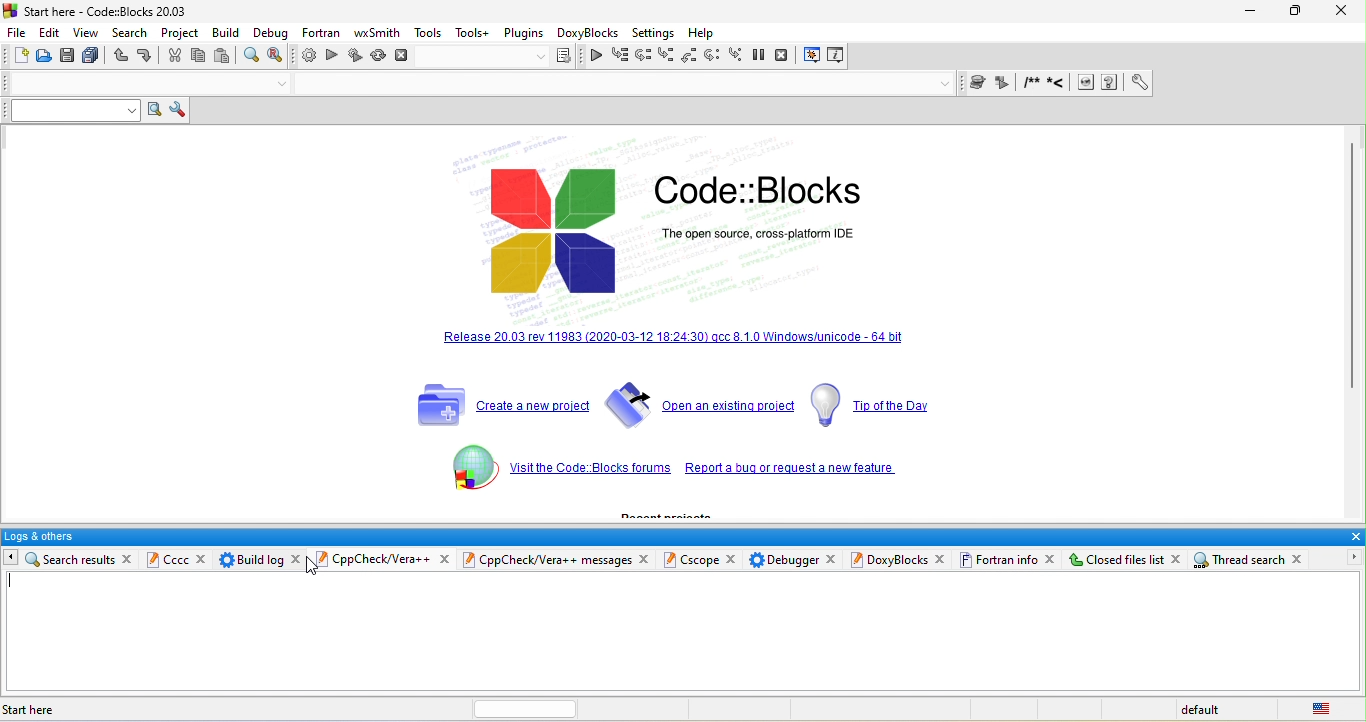  Describe the element at coordinates (1087, 84) in the screenshot. I see `run html` at that location.